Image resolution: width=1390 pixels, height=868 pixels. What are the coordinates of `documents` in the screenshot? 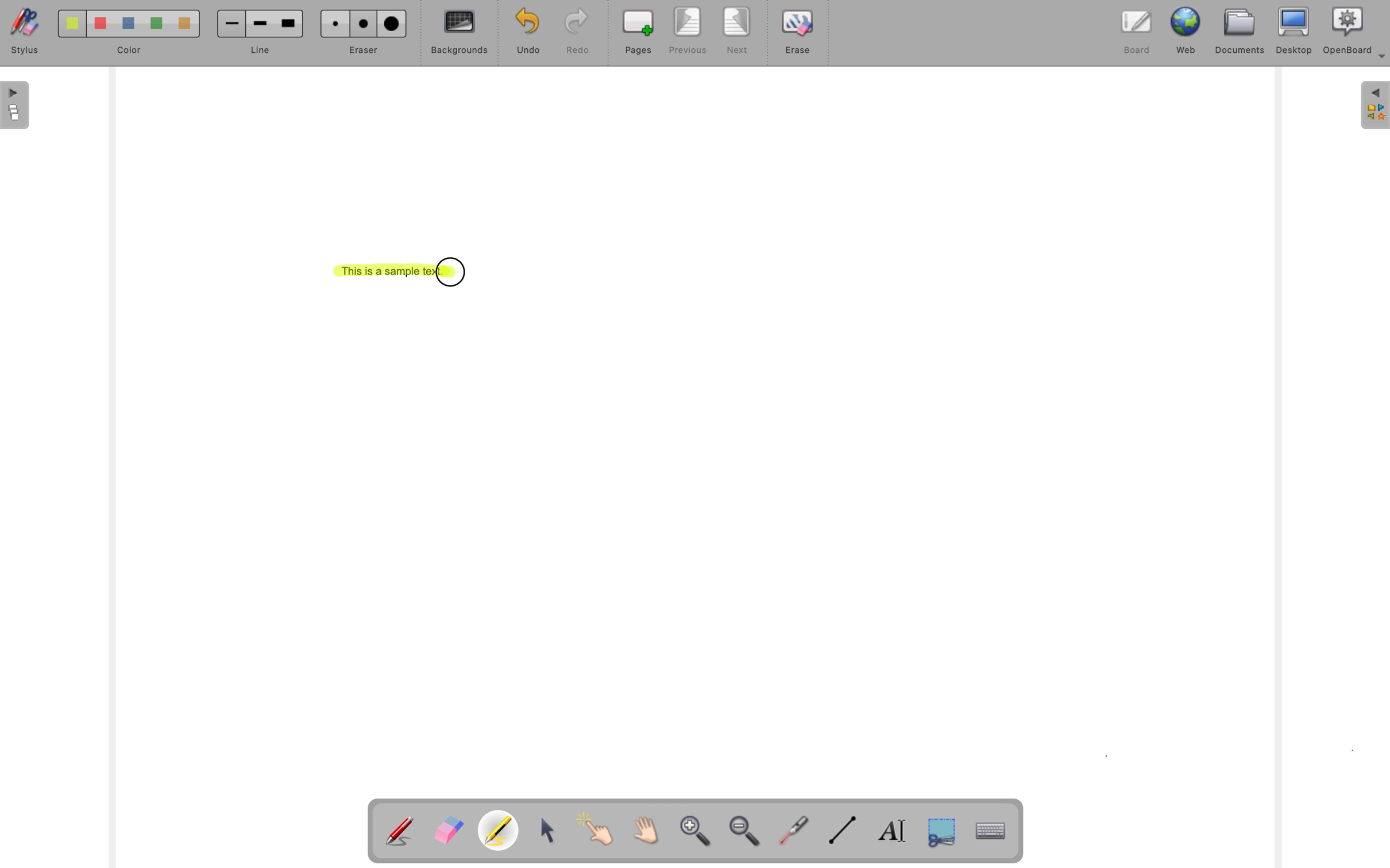 It's located at (1240, 33).